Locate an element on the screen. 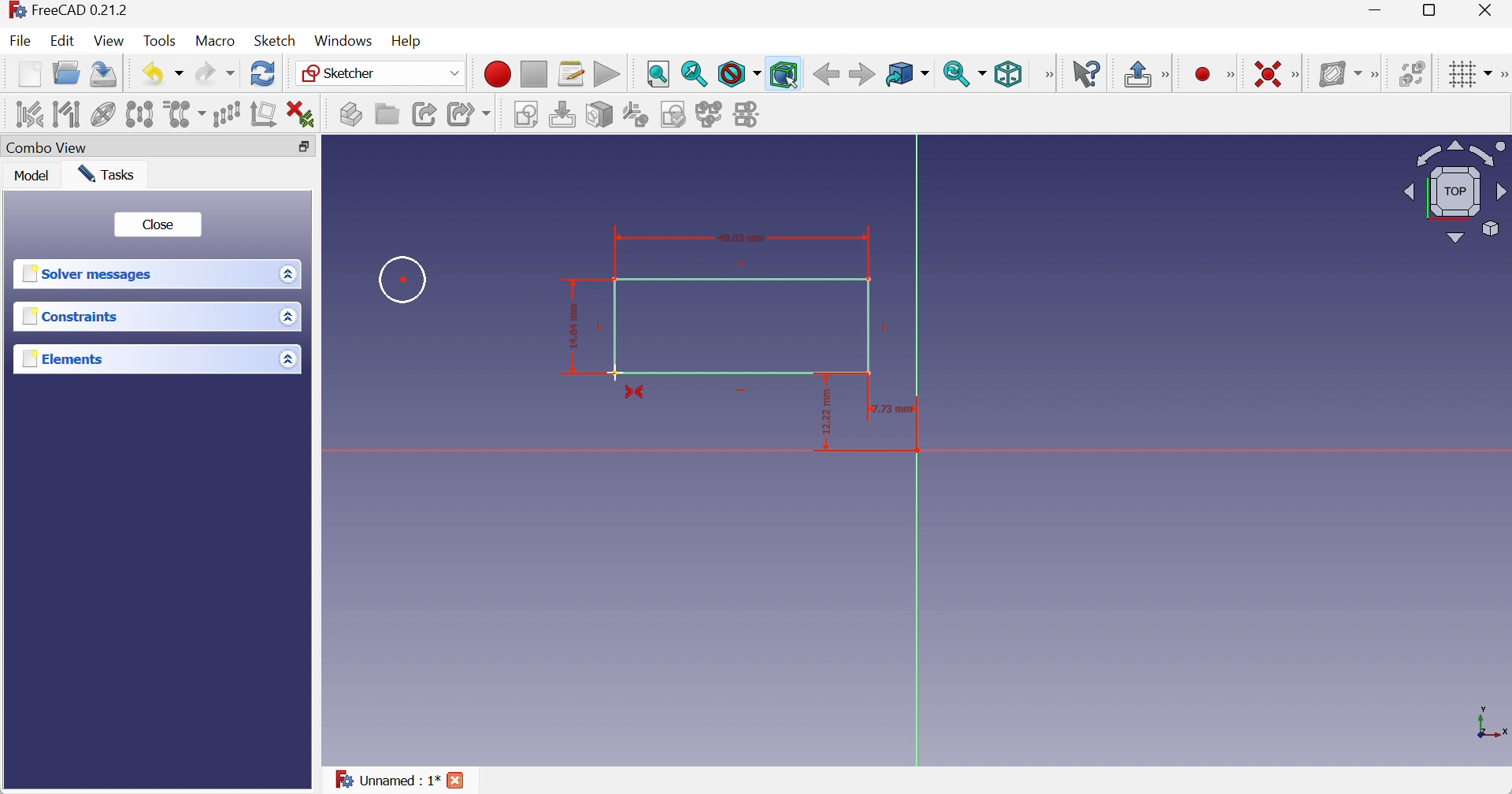 This screenshot has width=1512, height=794. Combo View is located at coordinates (46, 149).